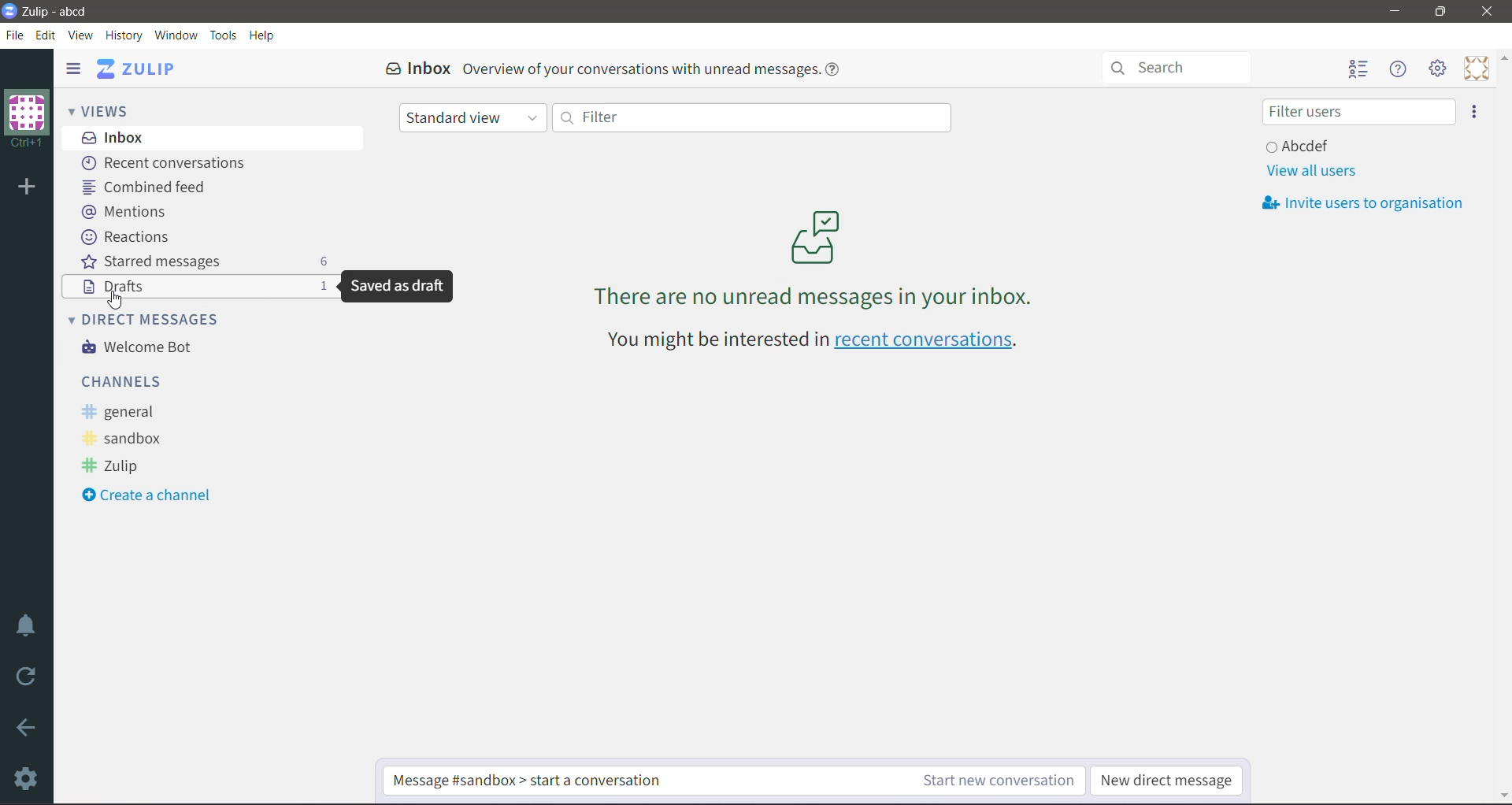  I want to click on Invite users to organization, so click(1475, 112).